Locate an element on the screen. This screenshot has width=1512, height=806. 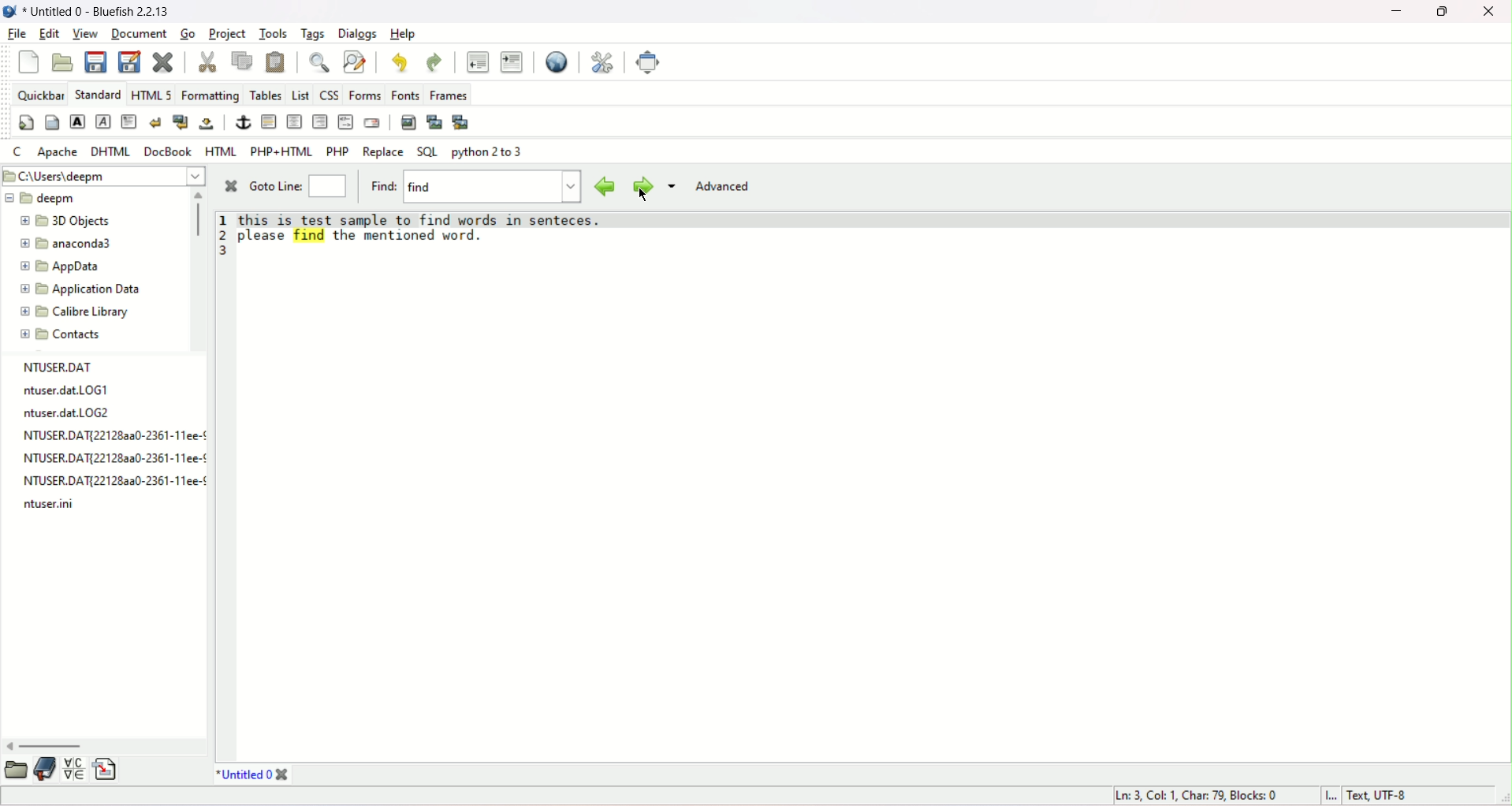
close is located at coordinates (1490, 14).